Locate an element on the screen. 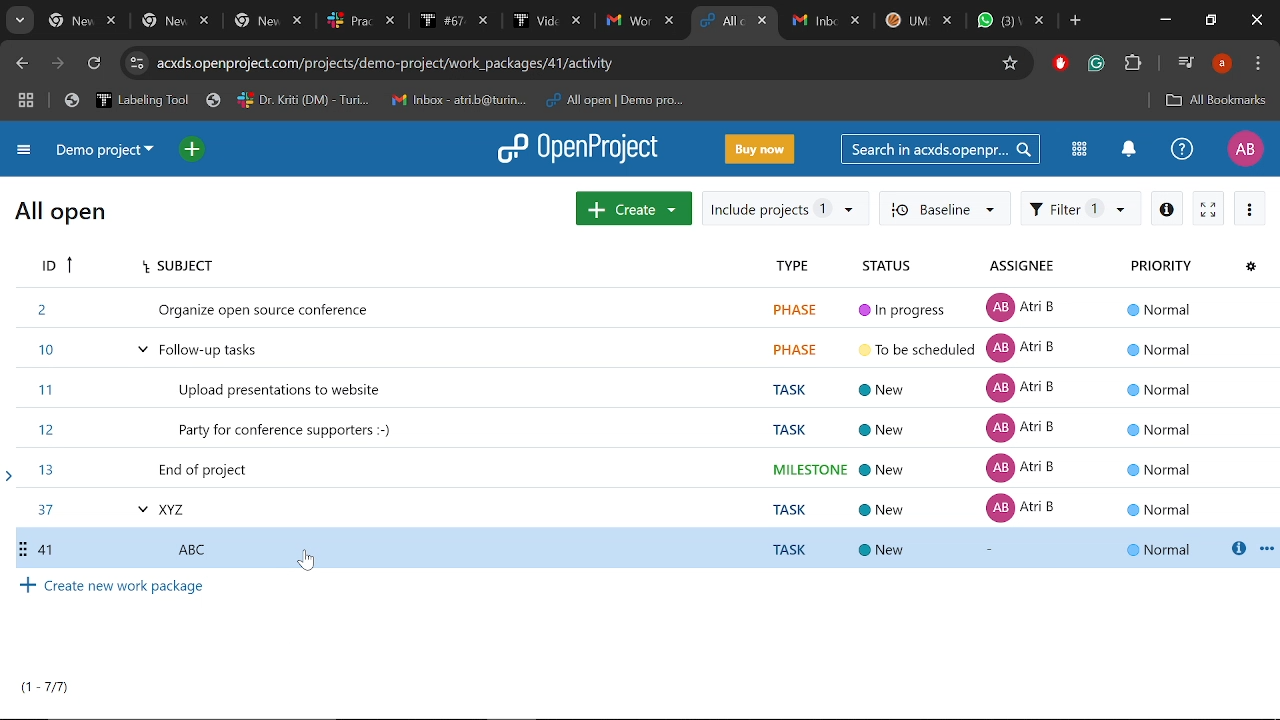 Image resolution: width=1280 pixels, height=720 pixels. Open quick add menu is located at coordinates (191, 149).